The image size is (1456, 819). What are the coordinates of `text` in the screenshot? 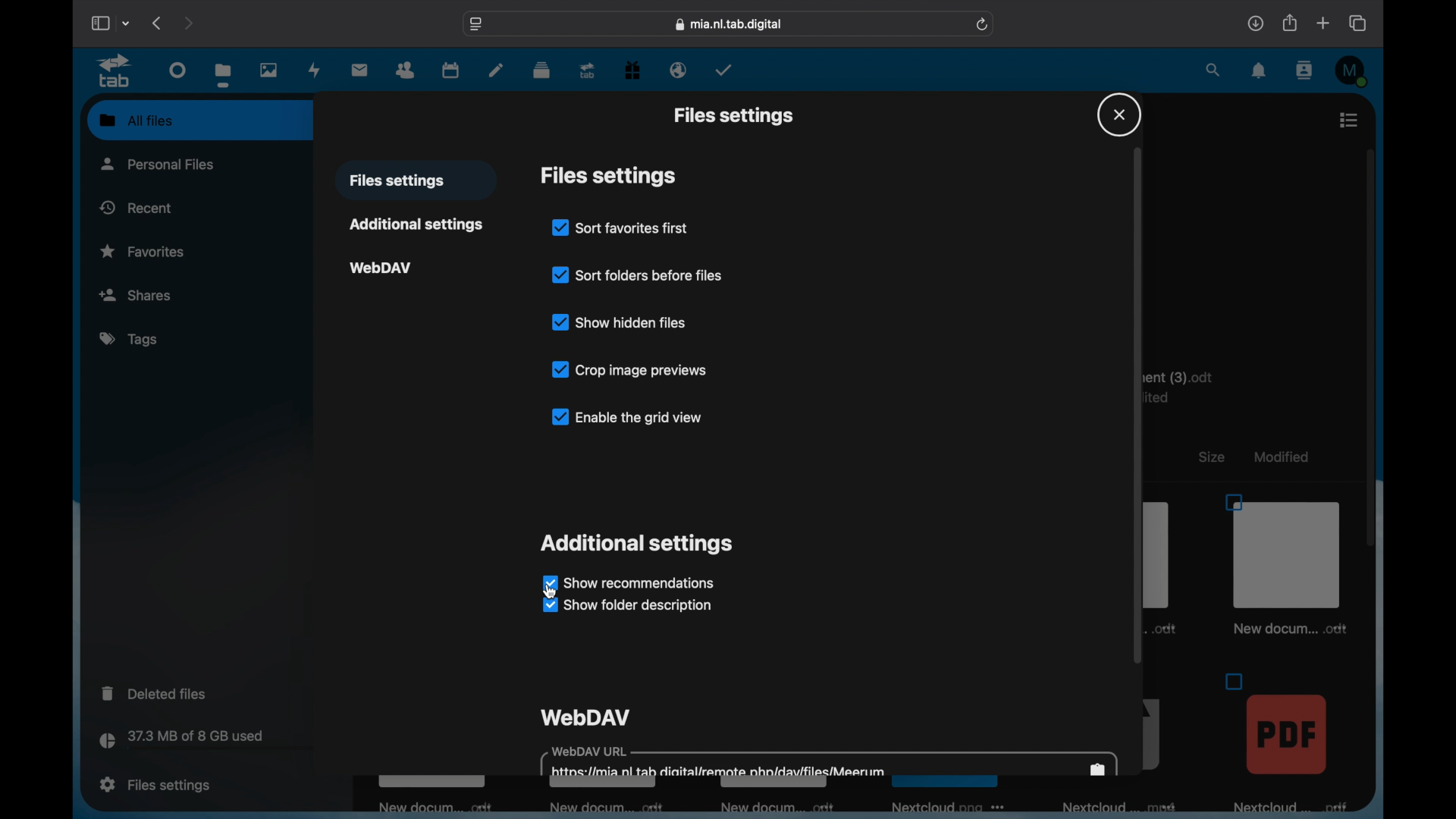 It's located at (1191, 385).